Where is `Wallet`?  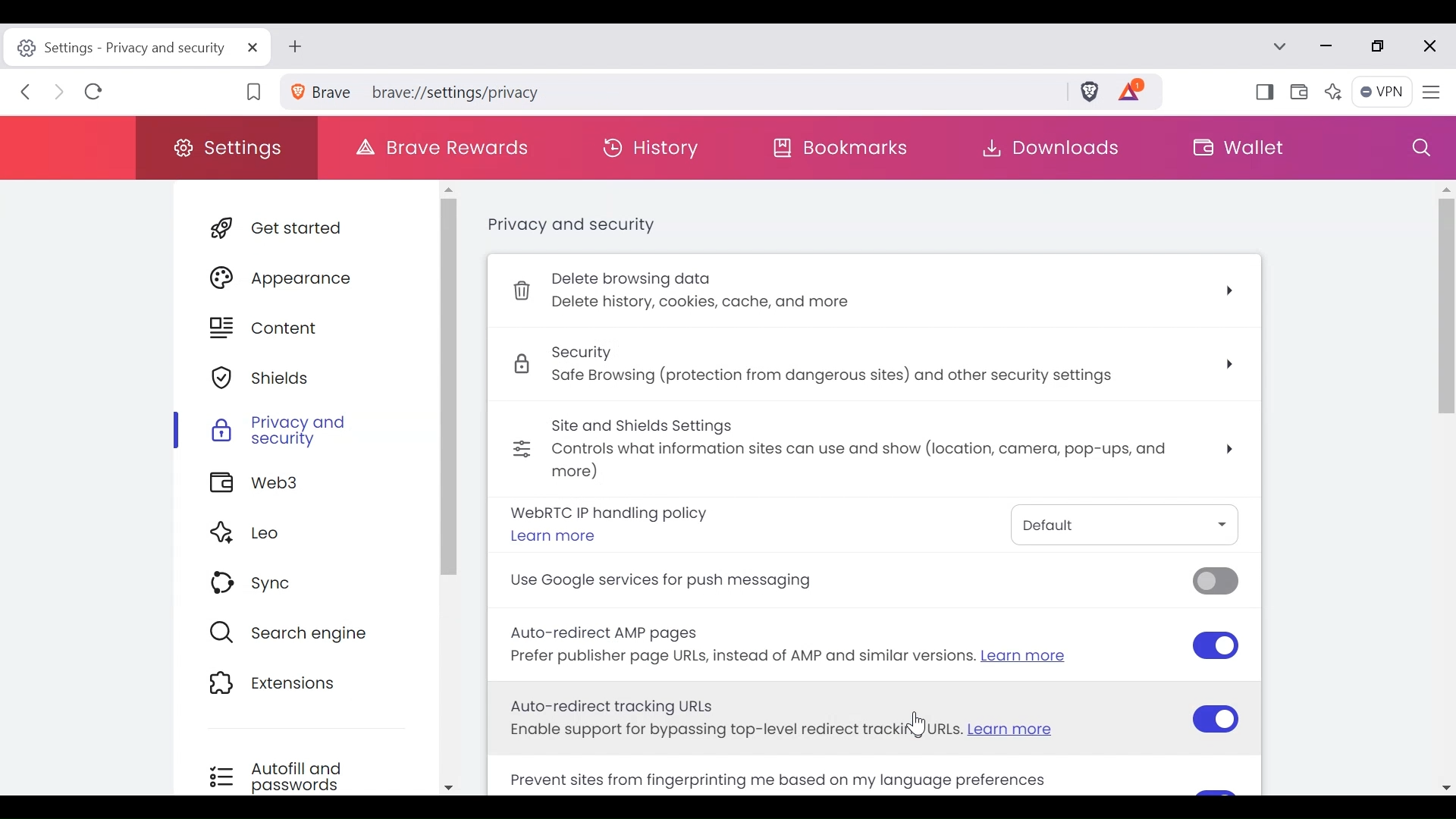 Wallet is located at coordinates (1238, 146).